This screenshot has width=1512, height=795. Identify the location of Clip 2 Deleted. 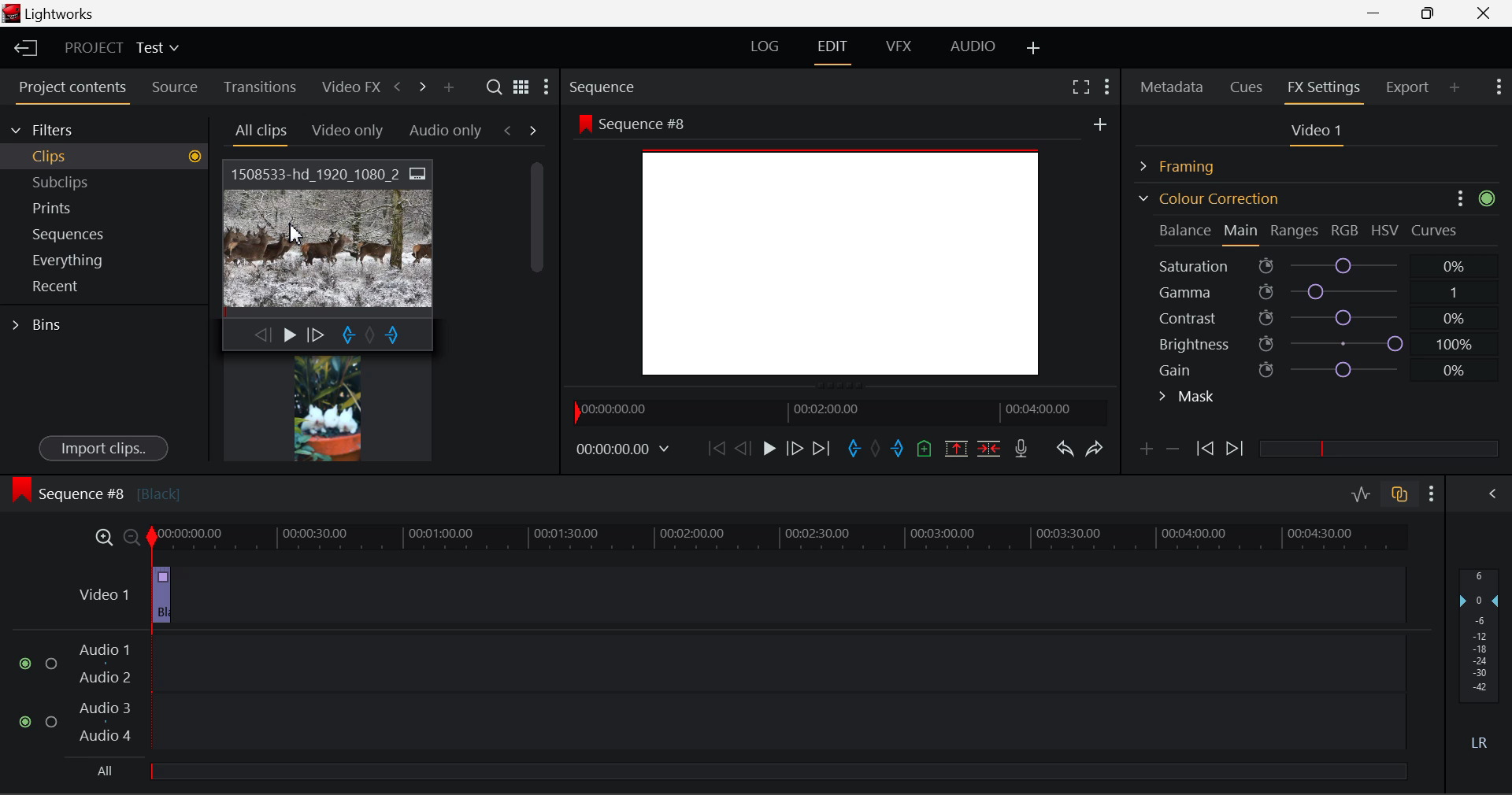
(728, 596).